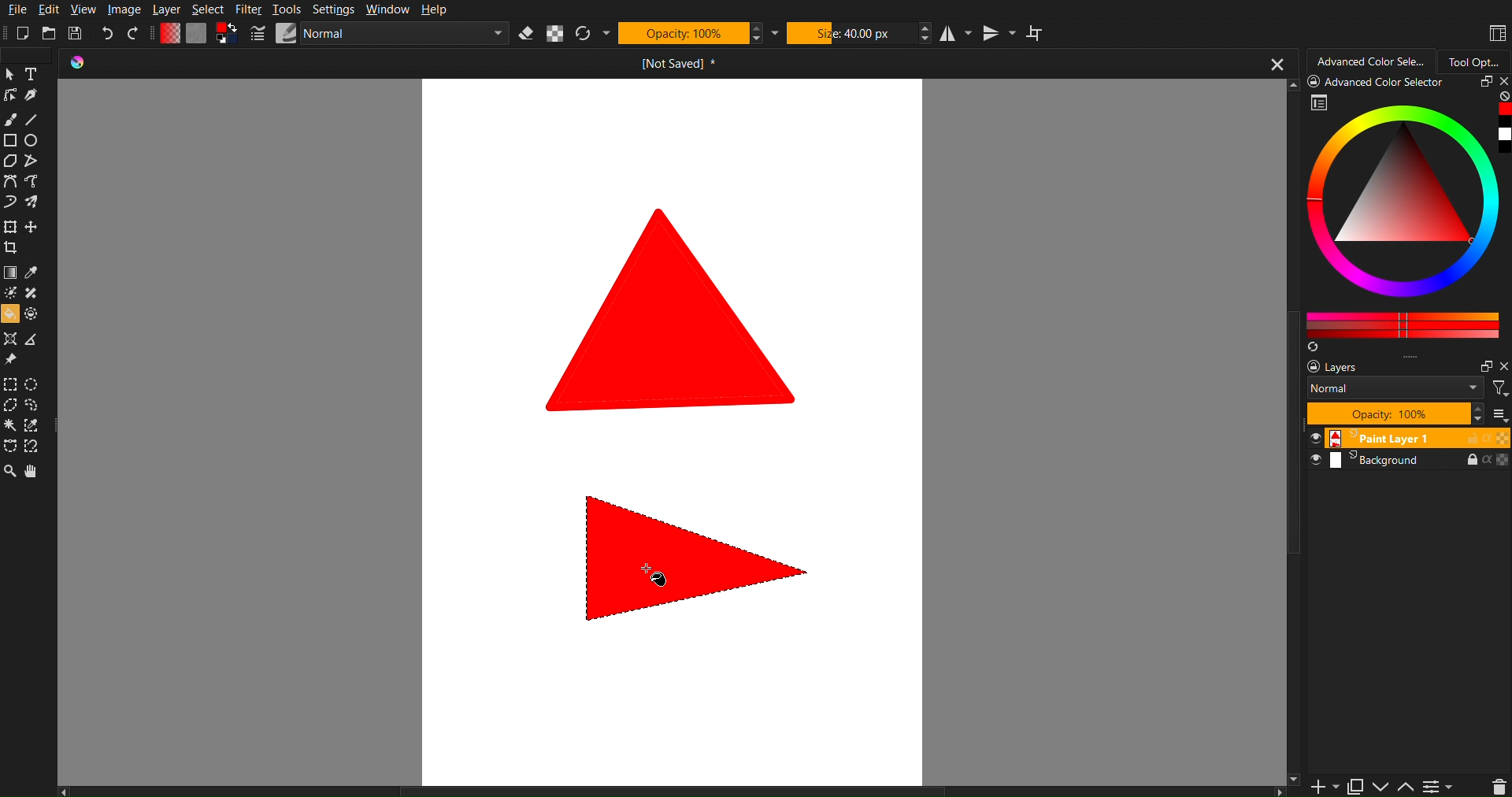  What do you see at coordinates (379, 36) in the screenshot?
I see `Brush Settings` at bounding box center [379, 36].